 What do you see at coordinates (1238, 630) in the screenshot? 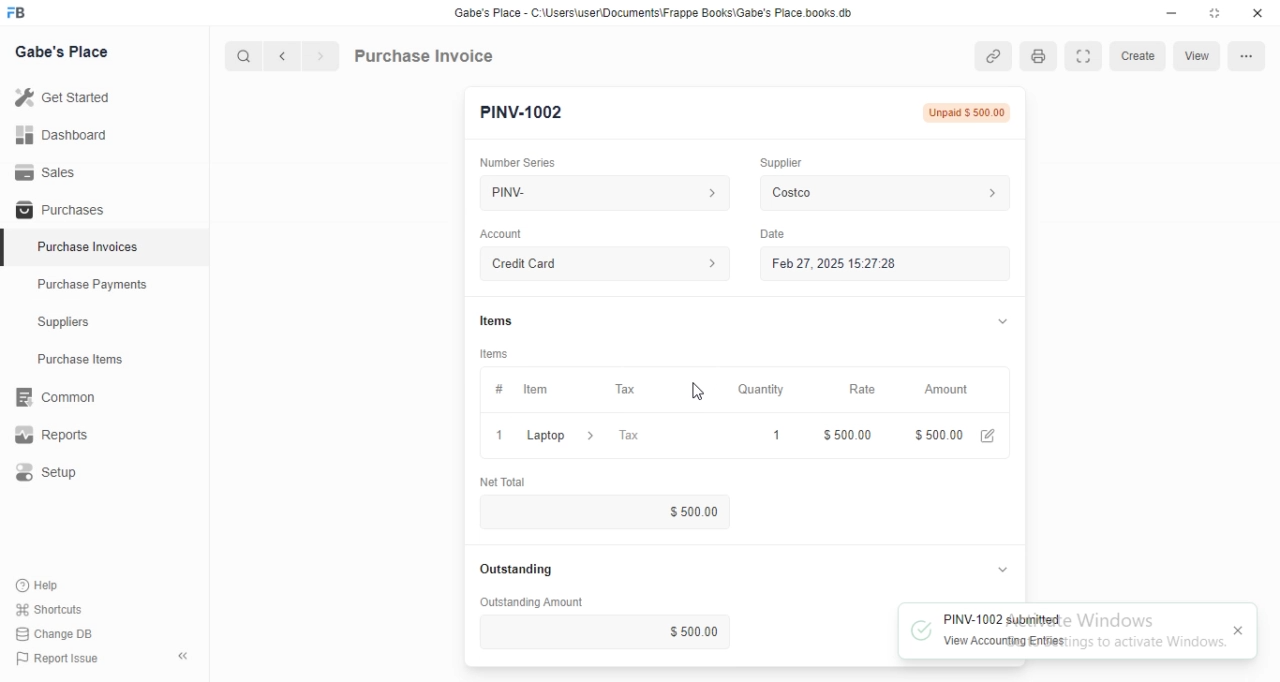
I see `Close` at bounding box center [1238, 630].